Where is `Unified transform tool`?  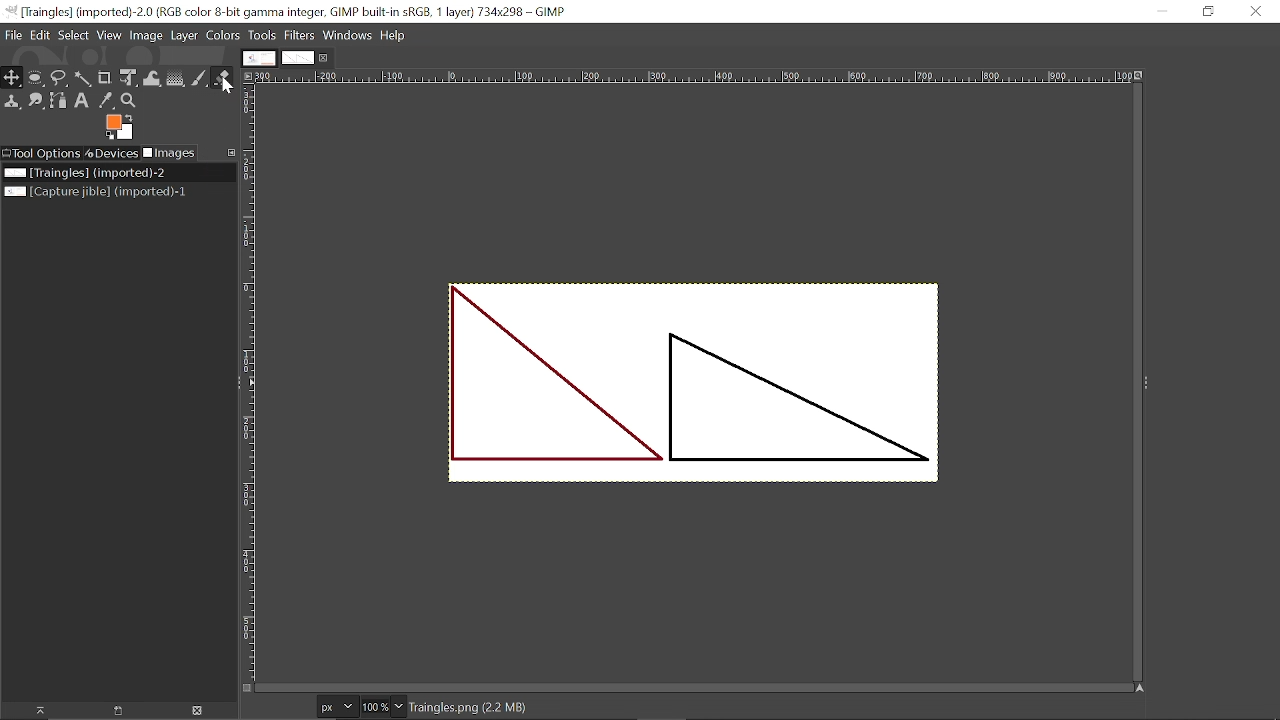 Unified transform tool is located at coordinates (129, 78).